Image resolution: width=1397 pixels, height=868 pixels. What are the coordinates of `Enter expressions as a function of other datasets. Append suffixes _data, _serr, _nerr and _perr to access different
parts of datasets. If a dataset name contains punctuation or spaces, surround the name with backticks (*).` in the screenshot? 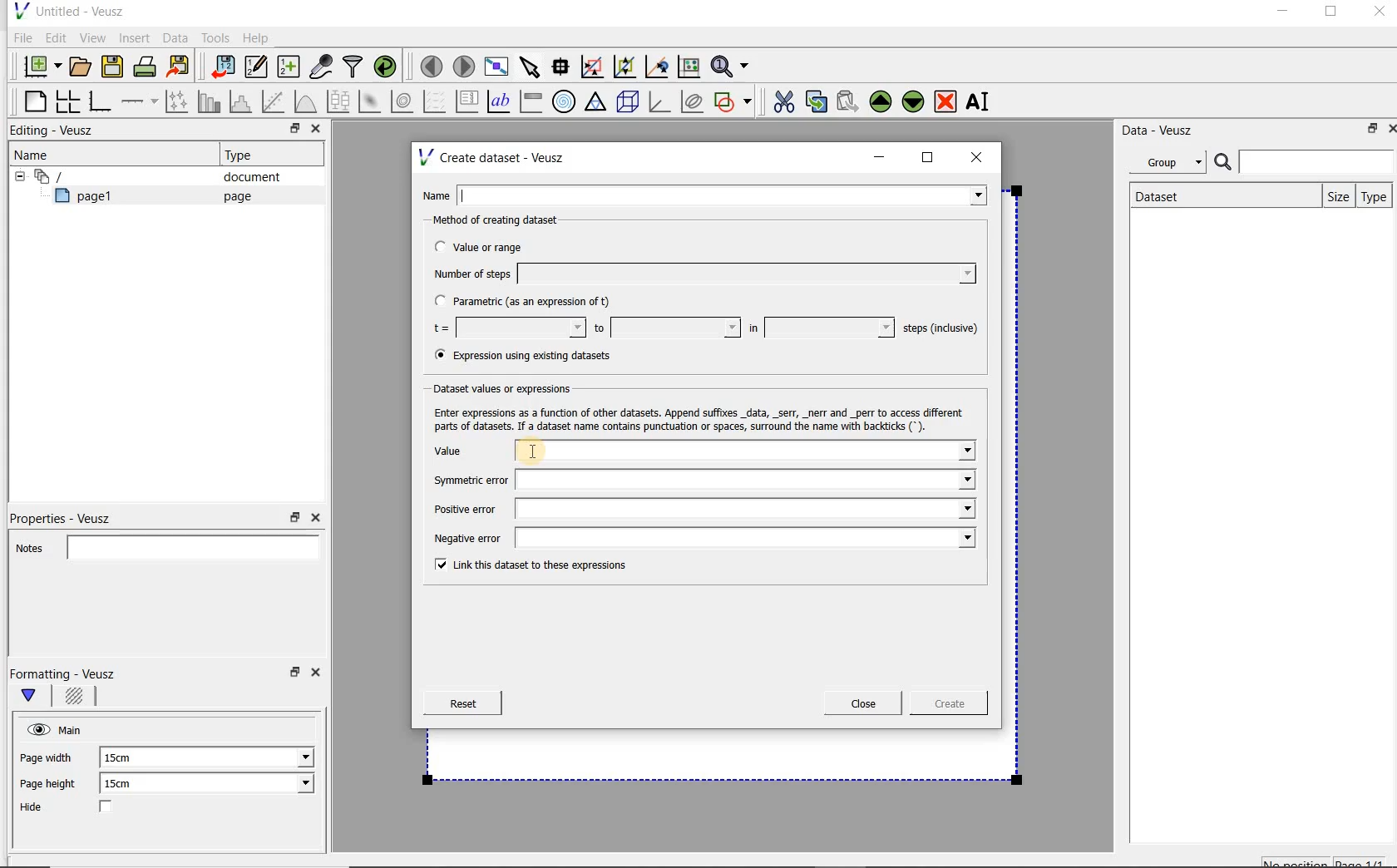 It's located at (703, 419).